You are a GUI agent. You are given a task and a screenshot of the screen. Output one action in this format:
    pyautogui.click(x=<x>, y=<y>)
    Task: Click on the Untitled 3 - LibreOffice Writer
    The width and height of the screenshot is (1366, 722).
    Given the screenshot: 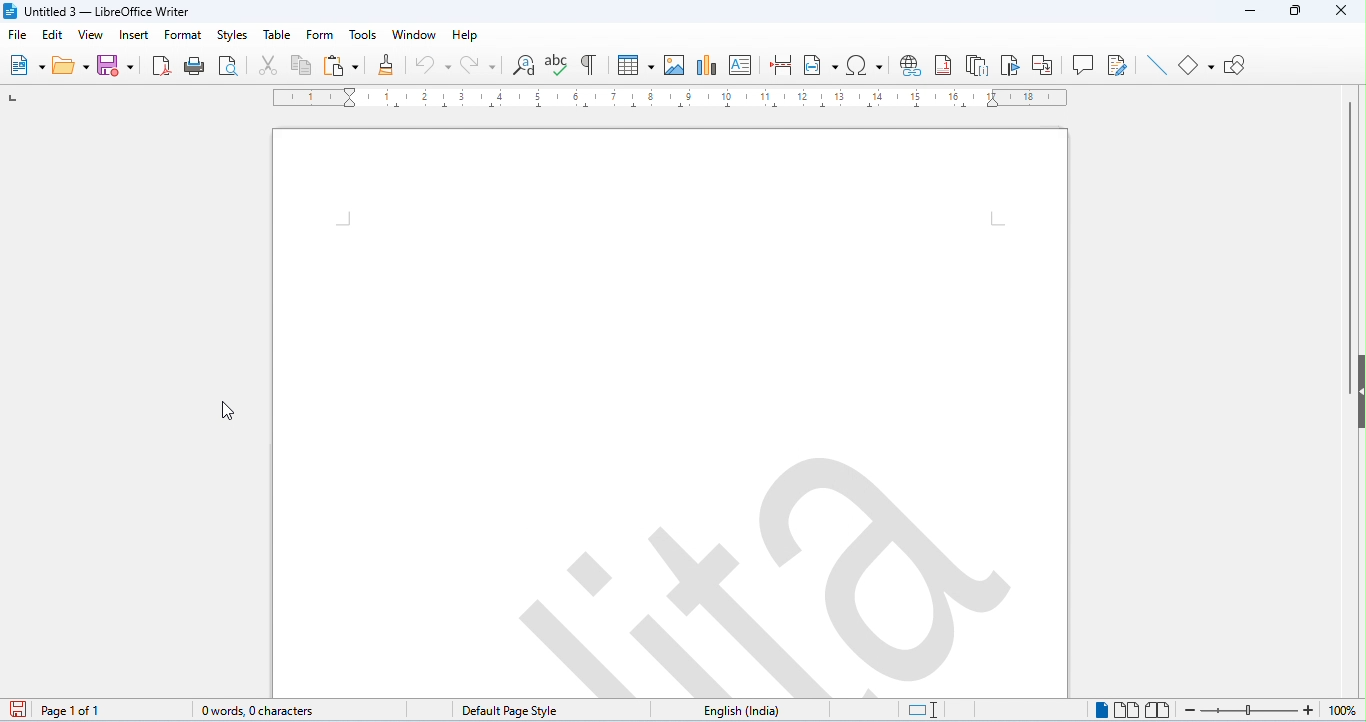 What is the action you would take?
    pyautogui.click(x=108, y=12)
    